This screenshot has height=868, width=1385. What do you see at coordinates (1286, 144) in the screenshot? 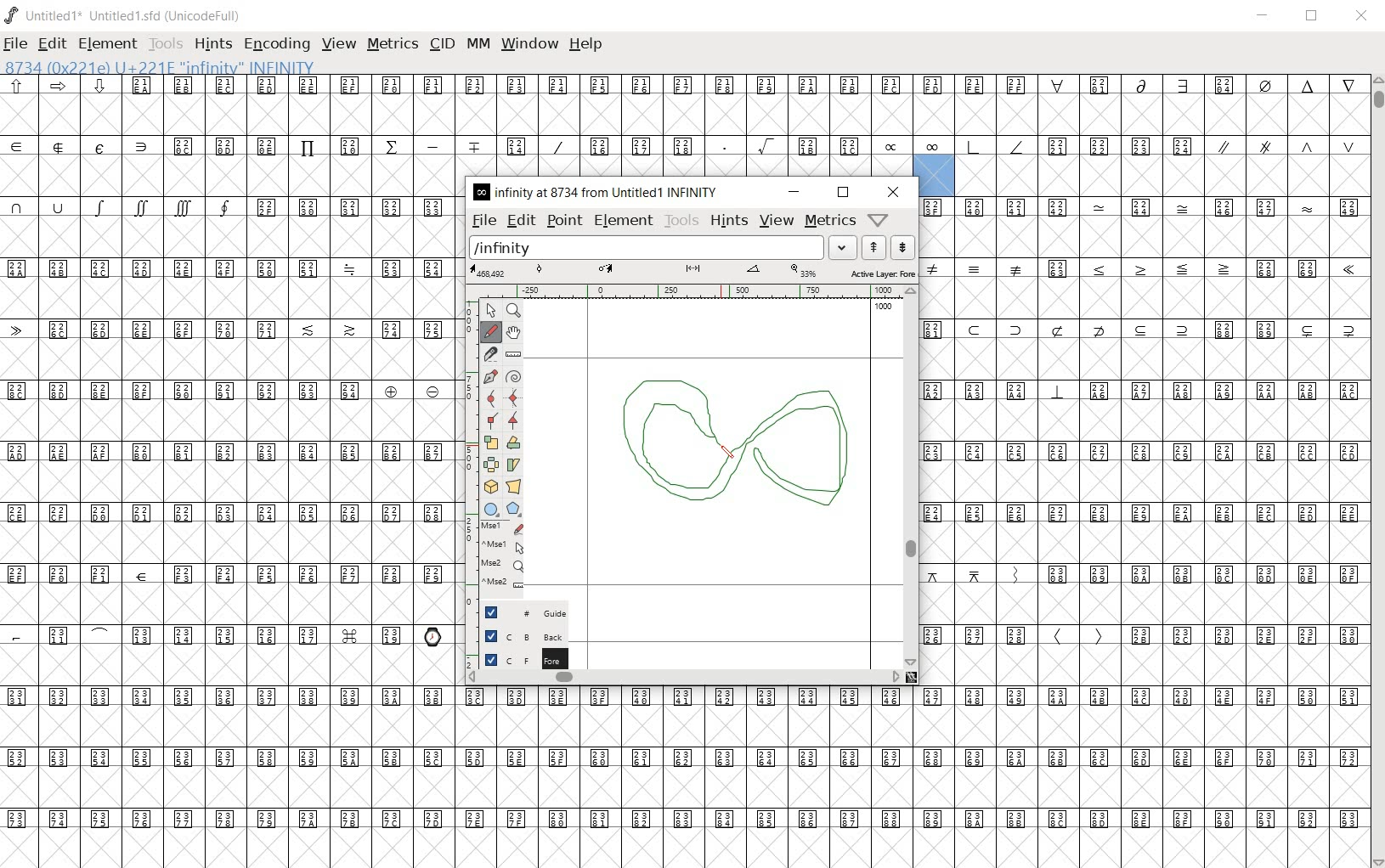
I see `symbols` at bounding box center [1286, 144].